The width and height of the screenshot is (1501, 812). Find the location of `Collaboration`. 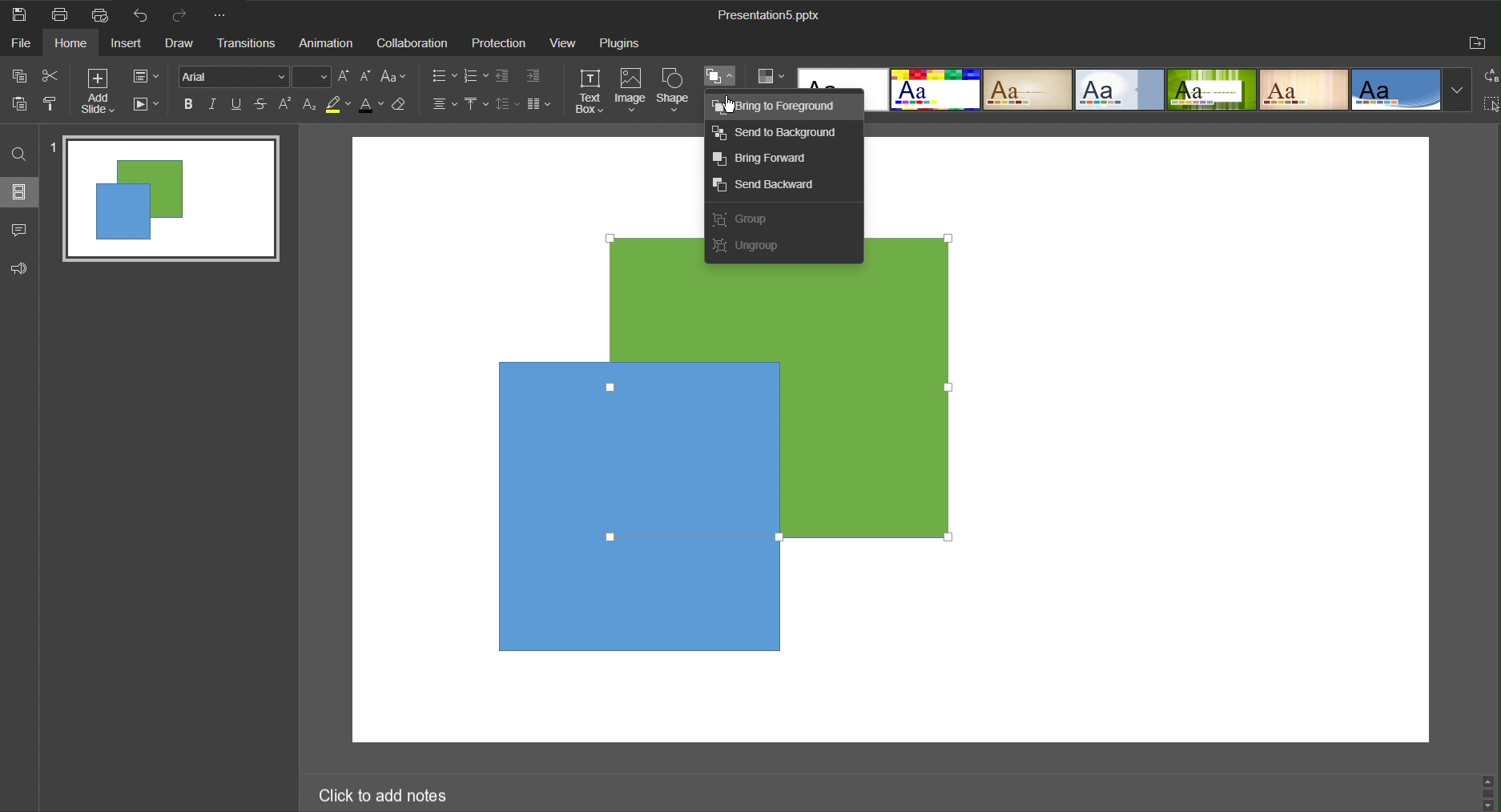

Collaboration is located at coordinates (413, 43).